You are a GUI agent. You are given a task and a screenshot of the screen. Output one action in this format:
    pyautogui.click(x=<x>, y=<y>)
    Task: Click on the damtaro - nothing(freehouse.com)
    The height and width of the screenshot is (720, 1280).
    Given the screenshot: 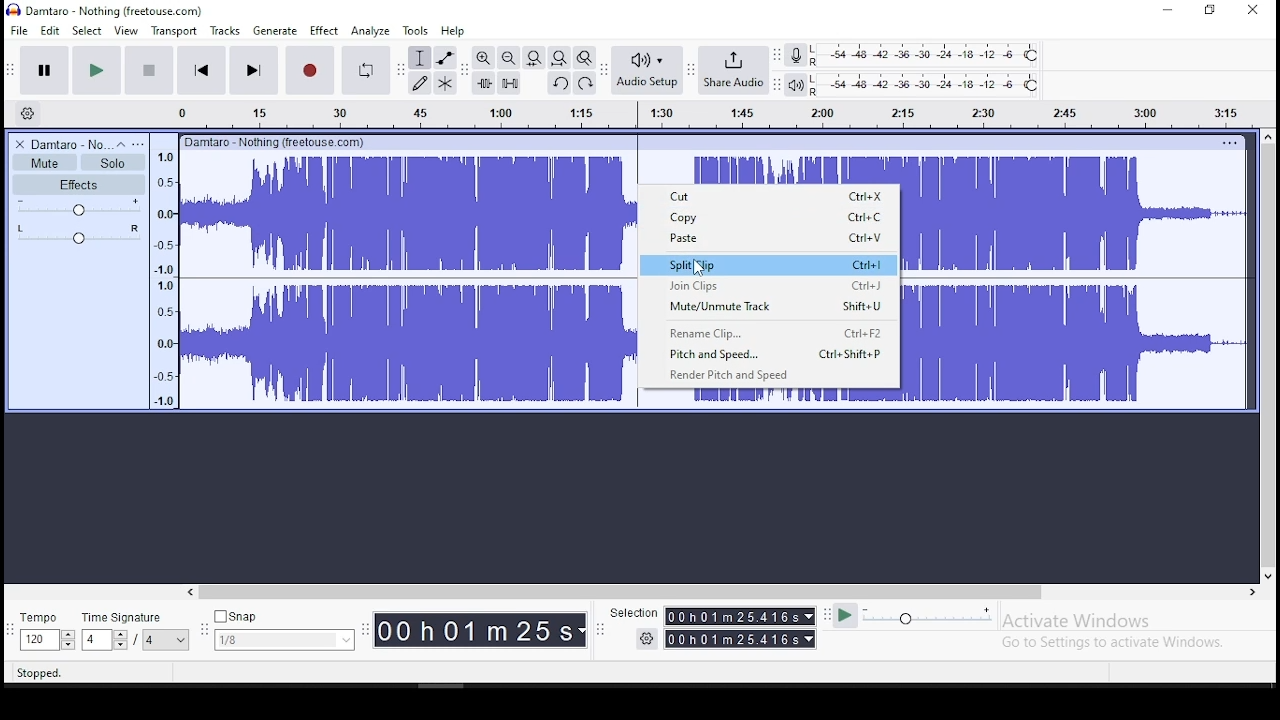 What is the action you would take?
    pyautogui.click(x=280, y=143)
    